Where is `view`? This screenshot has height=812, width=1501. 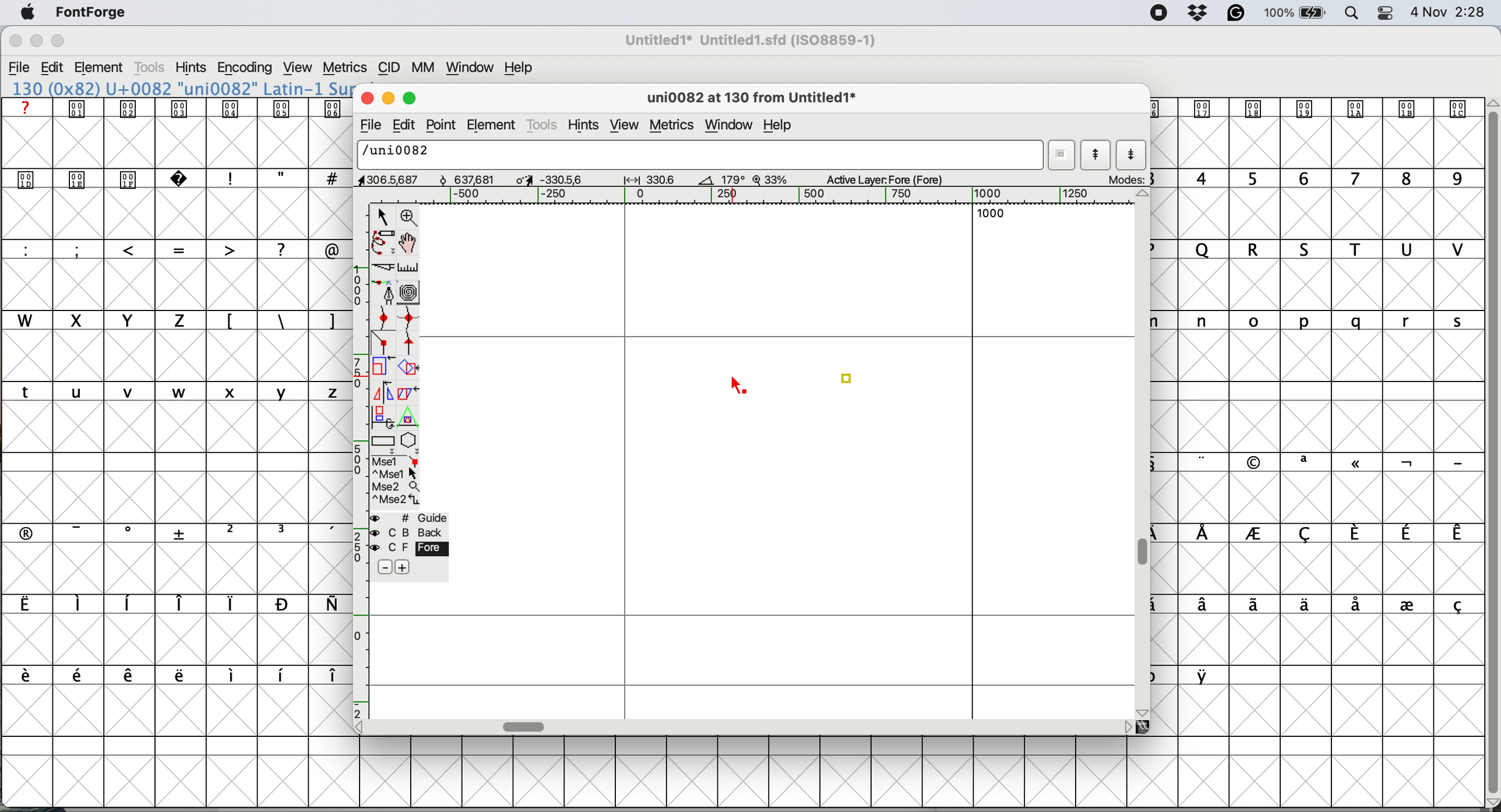 view is located at coordinates (300, 68).